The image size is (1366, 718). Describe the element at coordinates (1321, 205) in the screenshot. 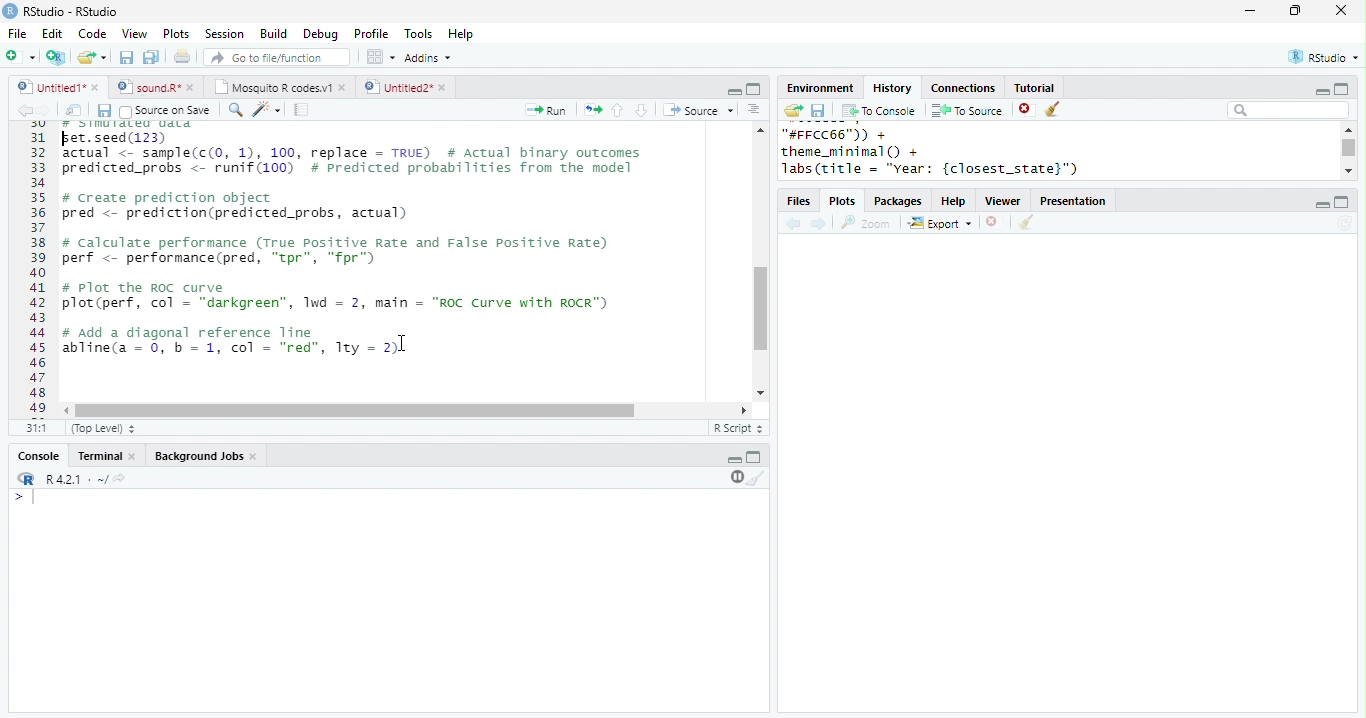

I see `minimize` at that location.